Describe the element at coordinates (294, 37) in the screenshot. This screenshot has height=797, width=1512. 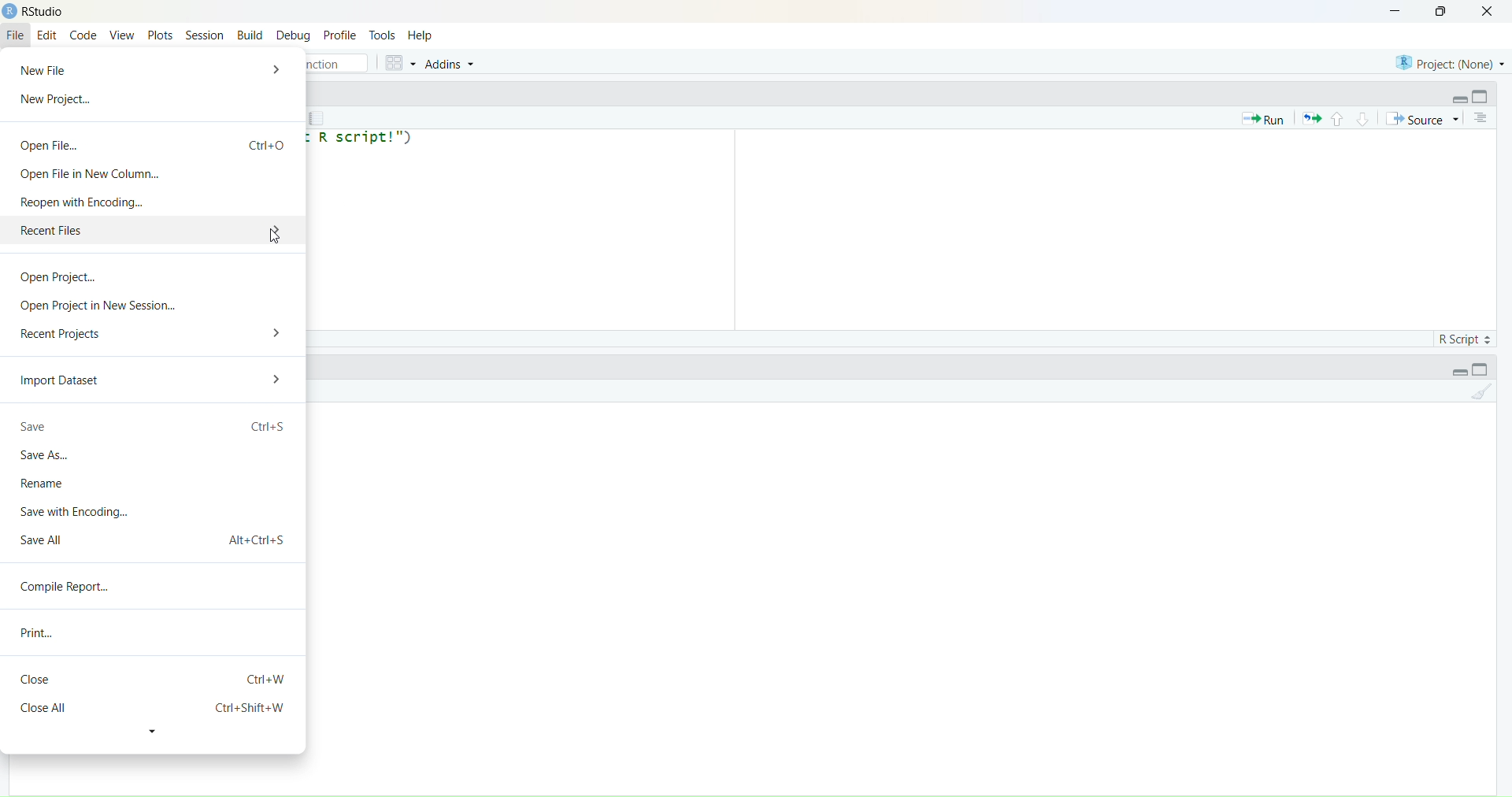
I see `Debug` at that location.